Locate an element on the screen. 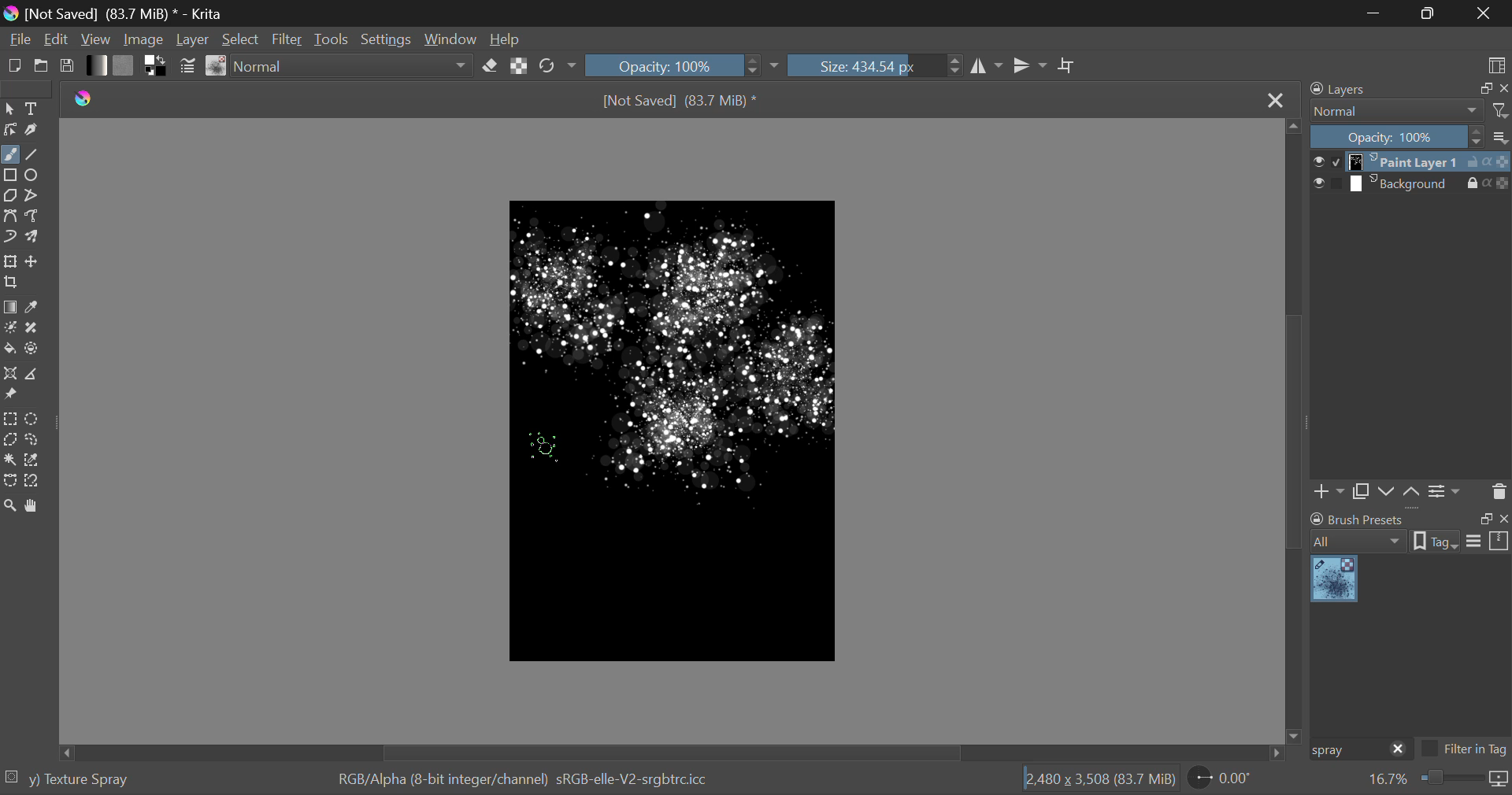  logo is located at coordinates (84, 99).